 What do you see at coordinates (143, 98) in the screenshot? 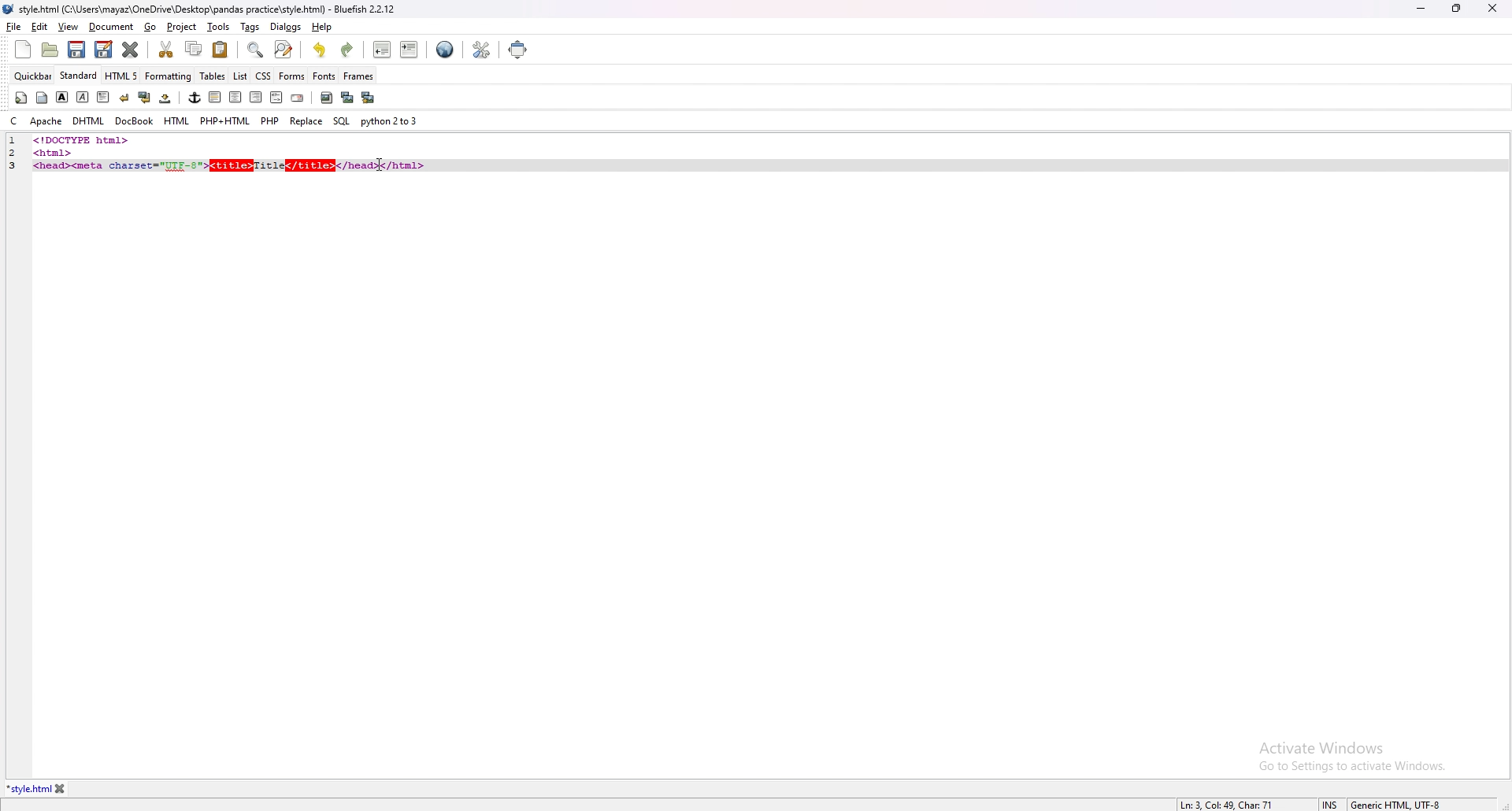
I see `break and clear` at bounding box center [143, 98].